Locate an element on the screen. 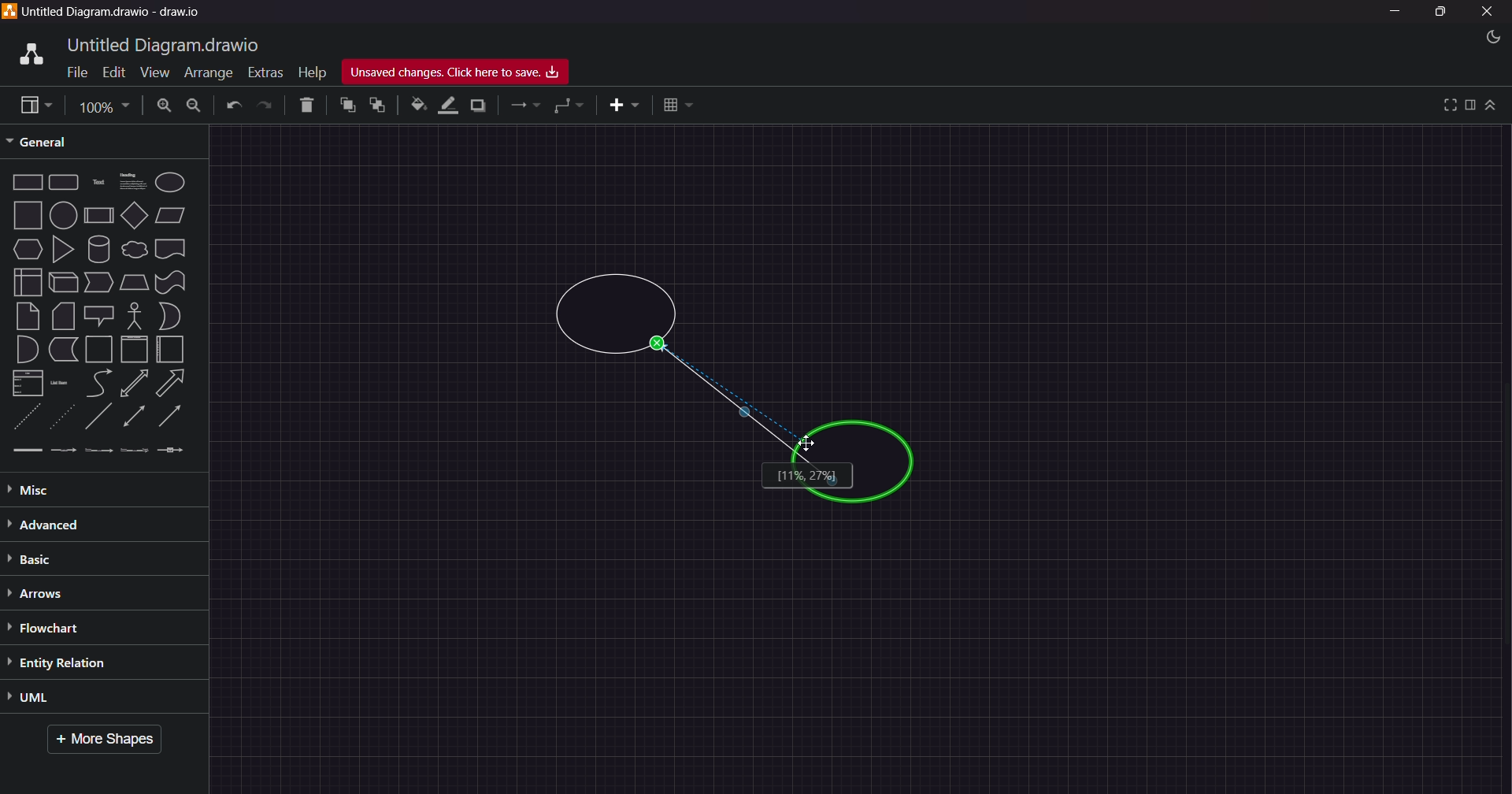 The image size is (1512, 794). view full screen is located at coordinates (1447, 104).